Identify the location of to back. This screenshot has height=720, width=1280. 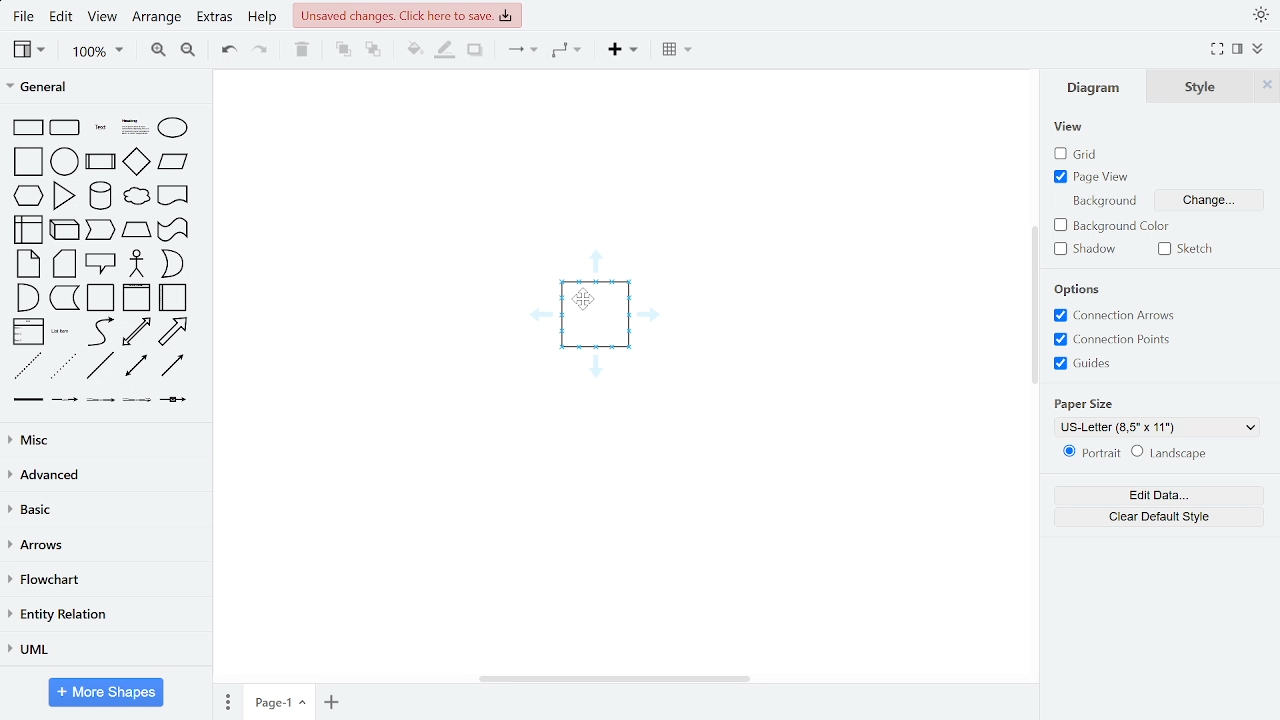
(372, 51).